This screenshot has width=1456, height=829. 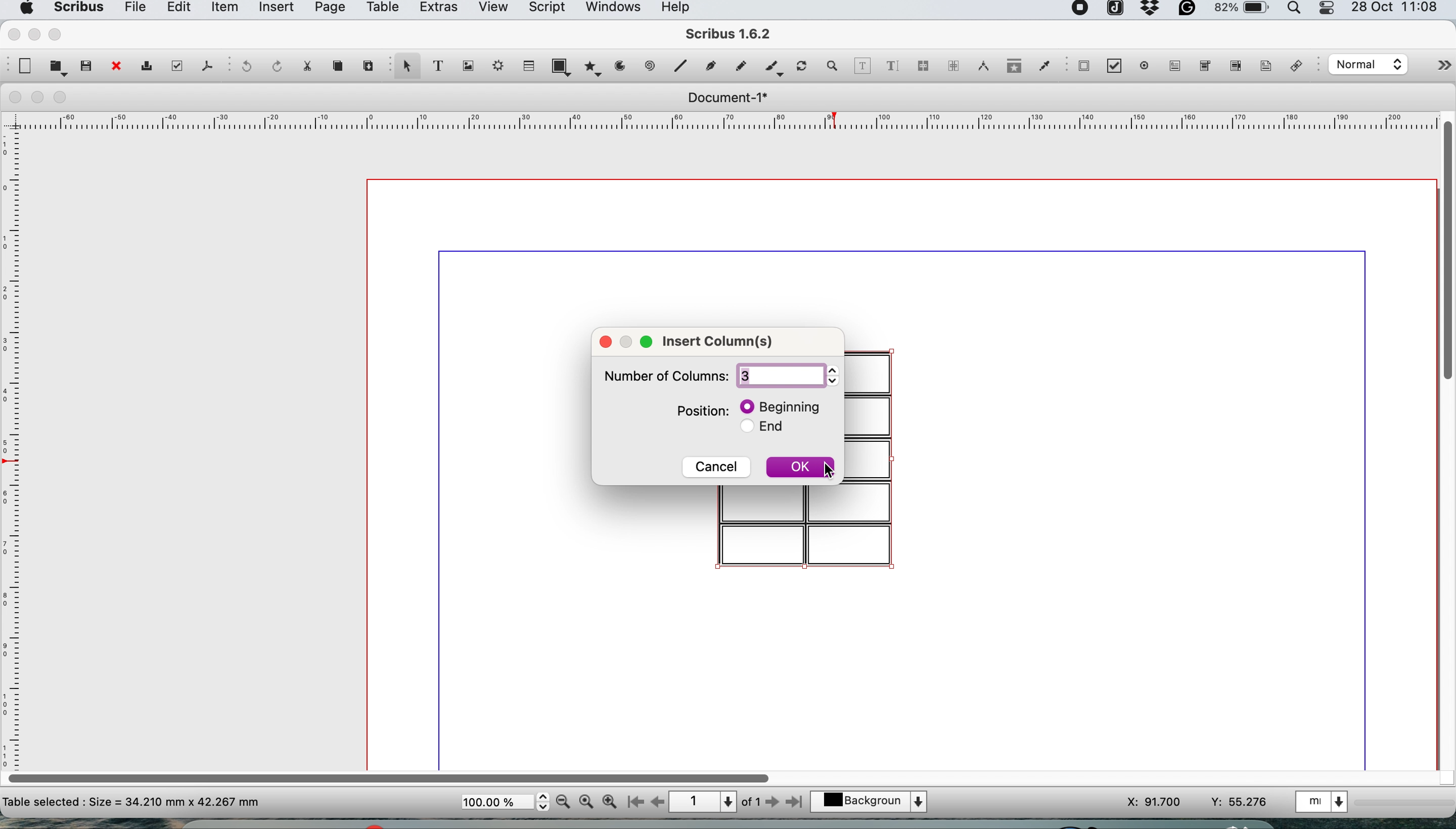 I want to click on close, so click(x=603, y=340).